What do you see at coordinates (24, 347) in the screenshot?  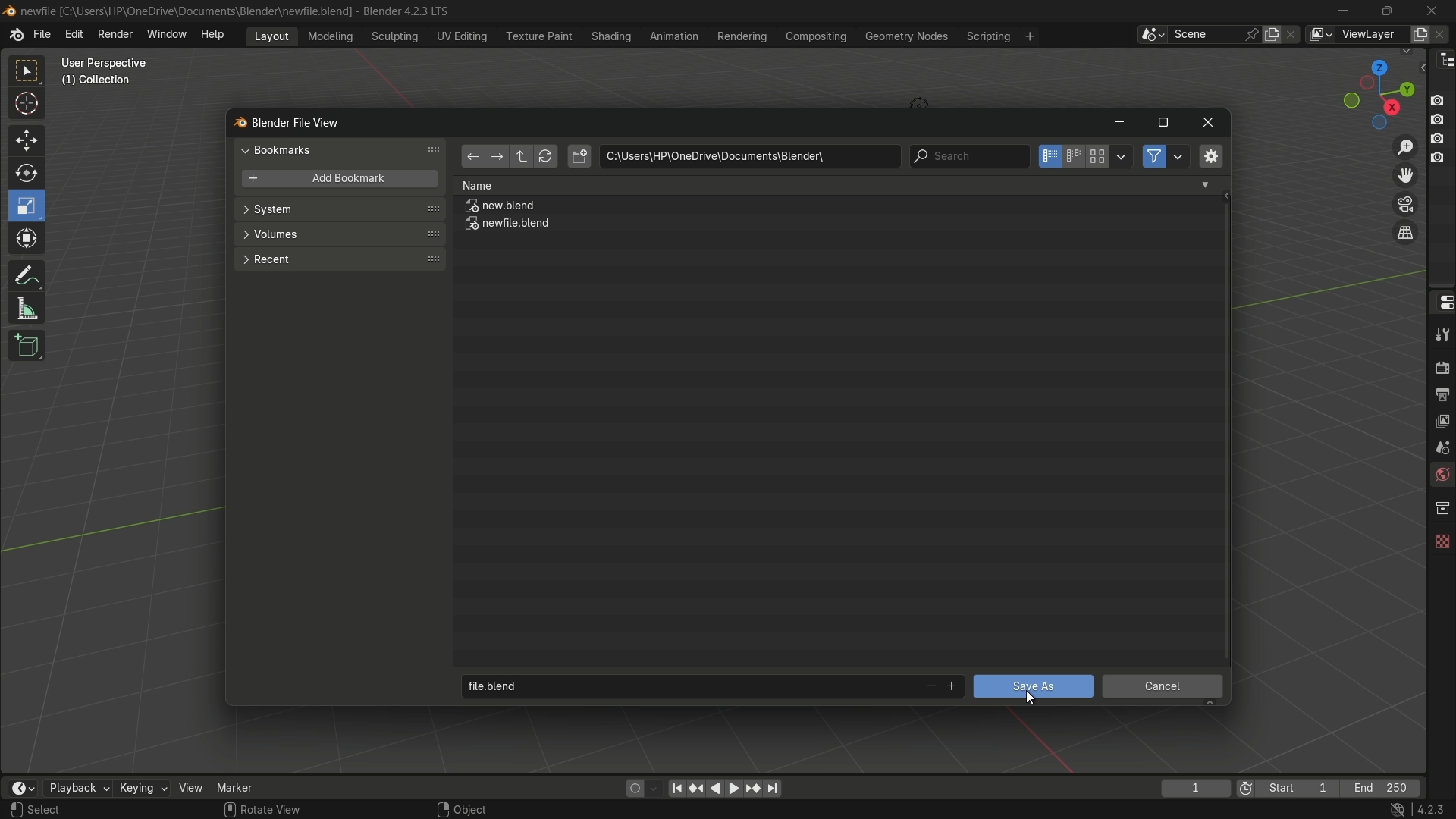 I see `add cube` at bounding box center [24, 347].